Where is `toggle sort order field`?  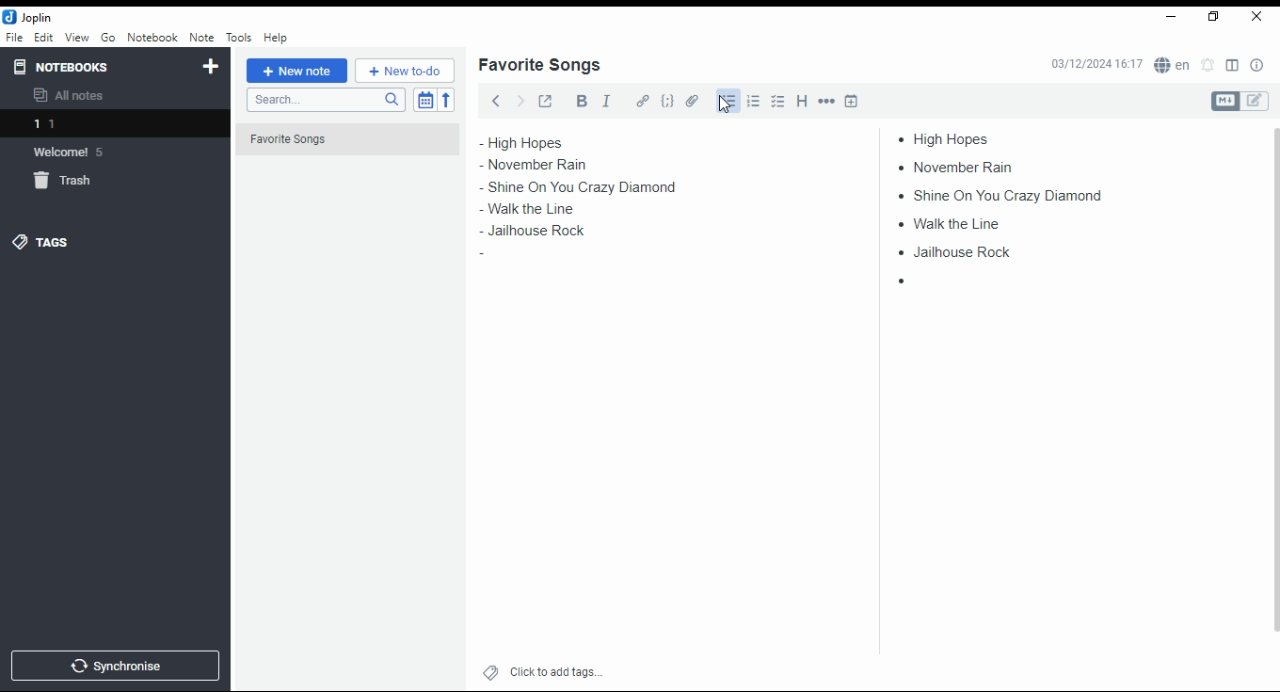
toggle sort order field is located at coordinates (425, 100).